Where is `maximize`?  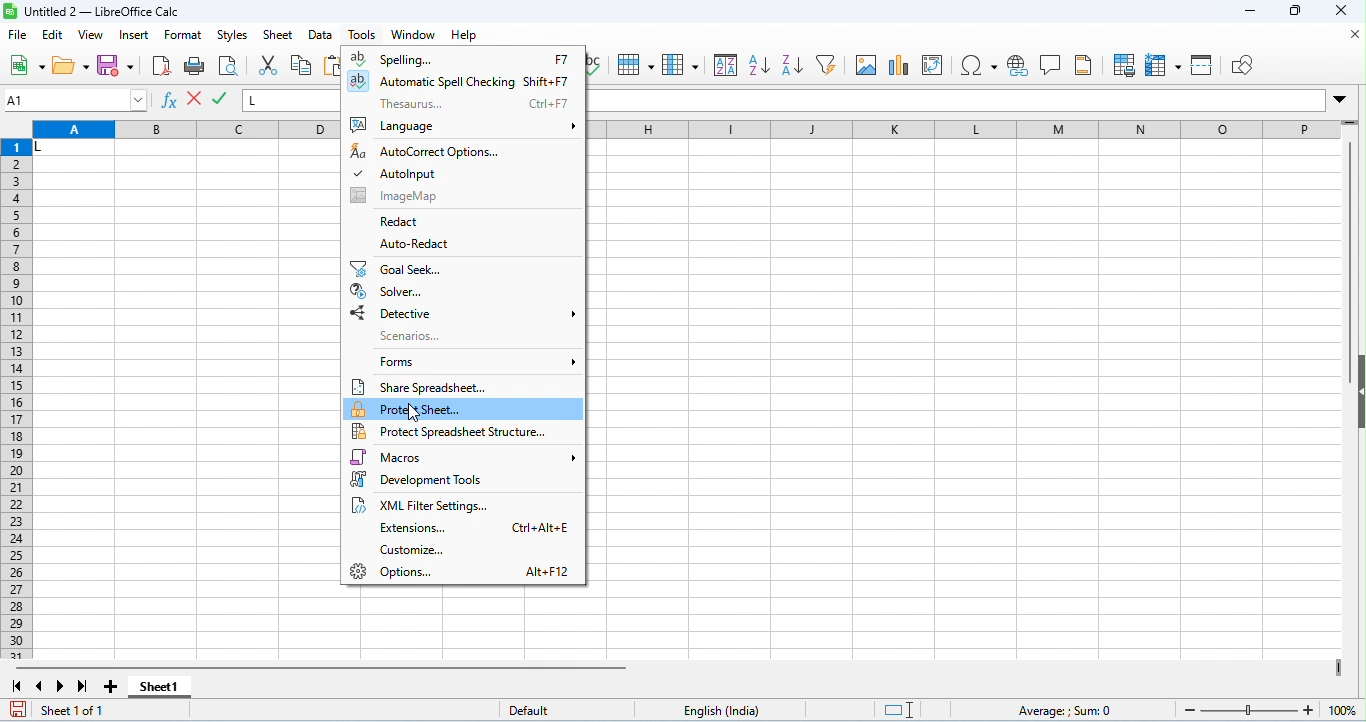 maximize is located at coordinates (1294, 13).